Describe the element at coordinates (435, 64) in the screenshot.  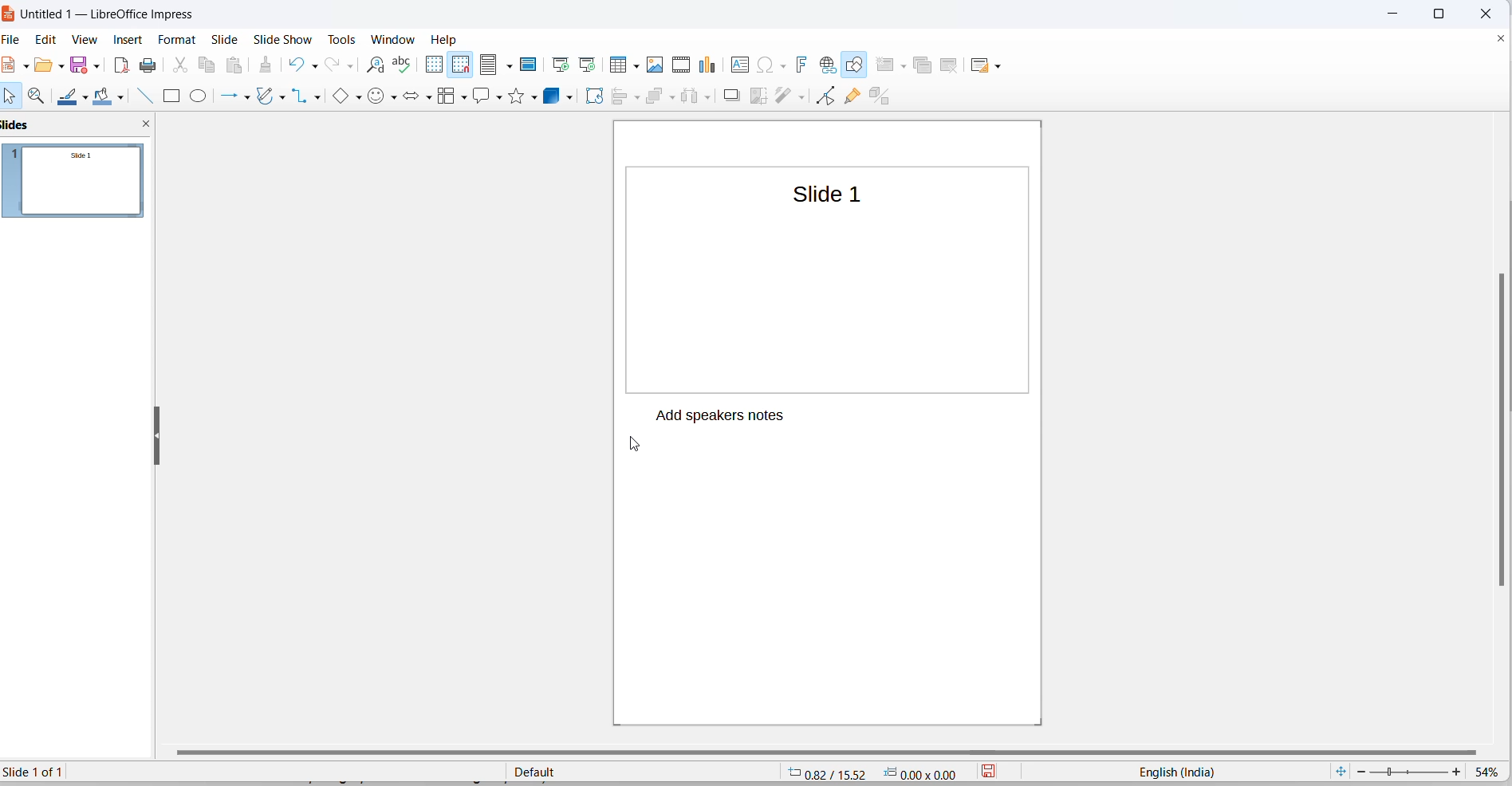
I see `display grid` at that location.